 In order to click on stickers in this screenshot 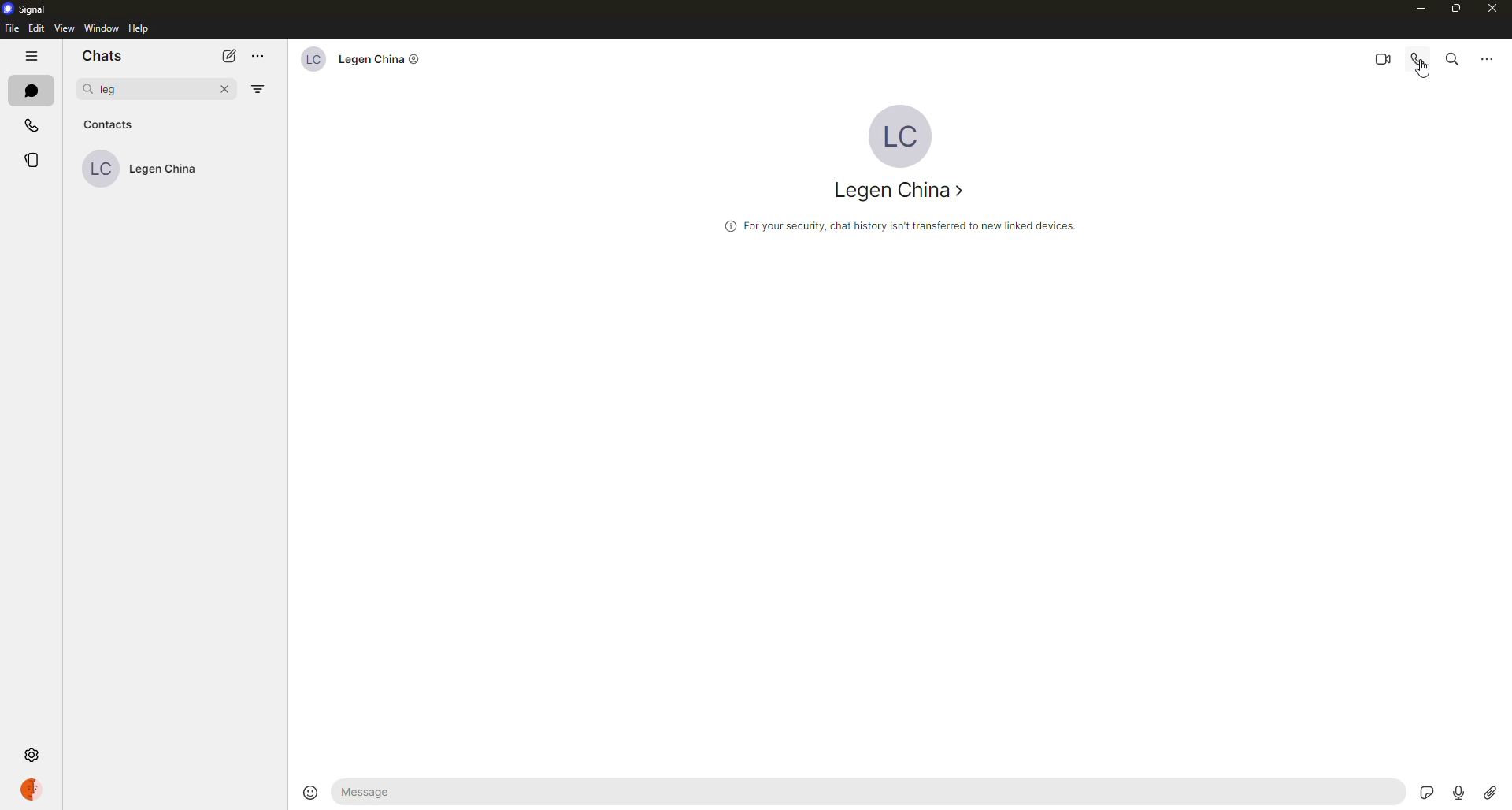, I will do `click(1421, 786)`.